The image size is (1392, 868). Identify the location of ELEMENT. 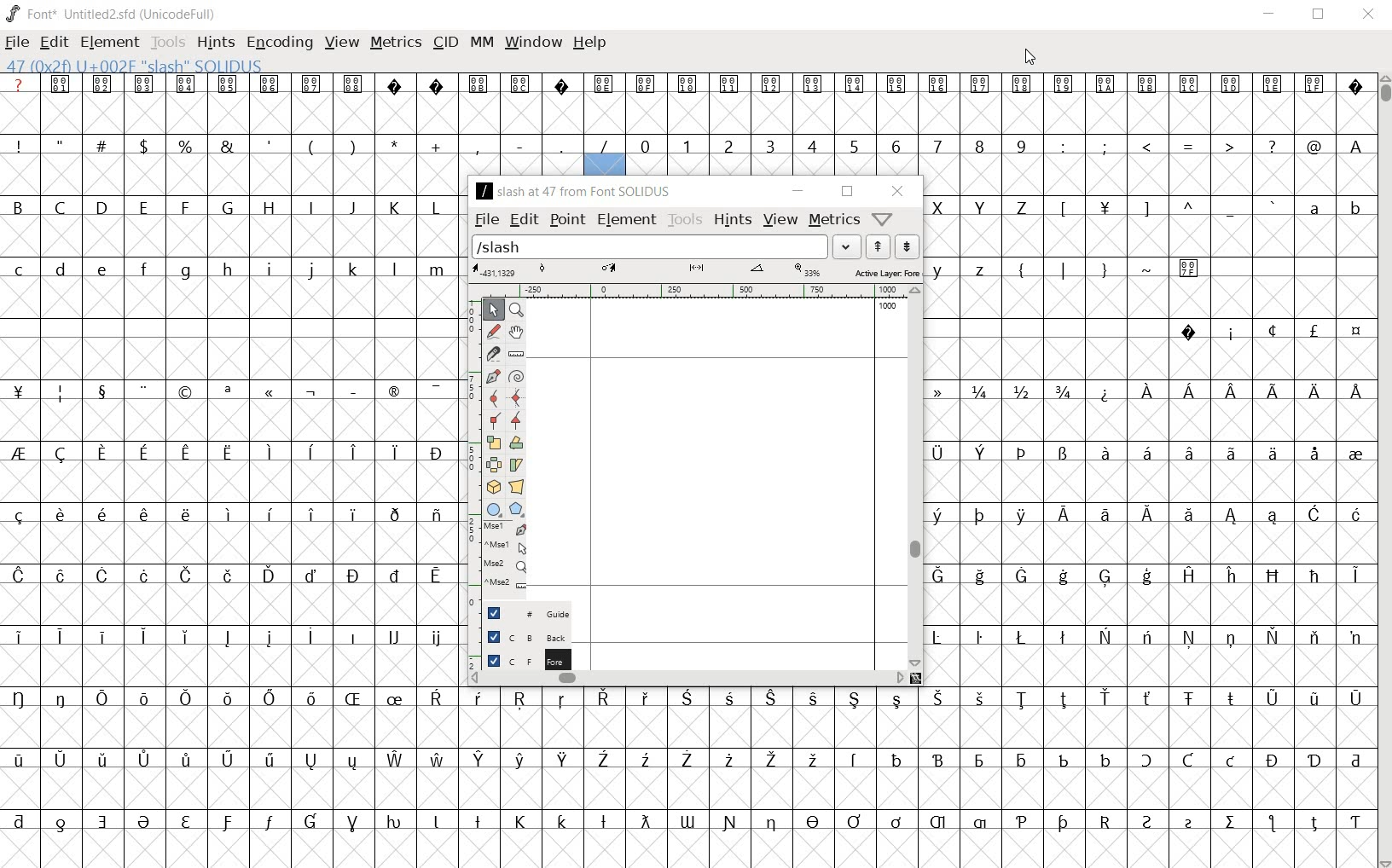
(109, 43).